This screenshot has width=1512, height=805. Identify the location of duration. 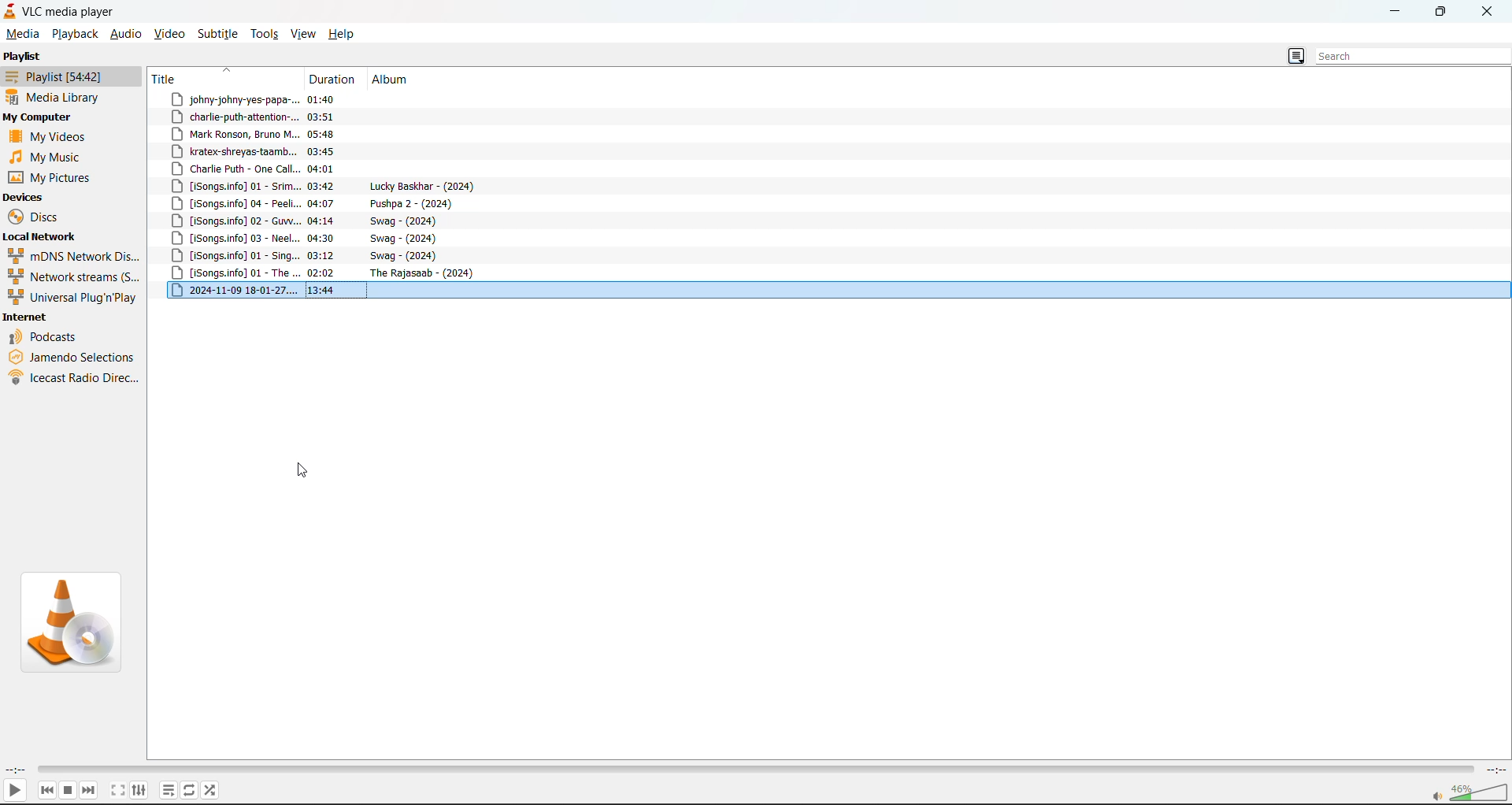
(334, 78).